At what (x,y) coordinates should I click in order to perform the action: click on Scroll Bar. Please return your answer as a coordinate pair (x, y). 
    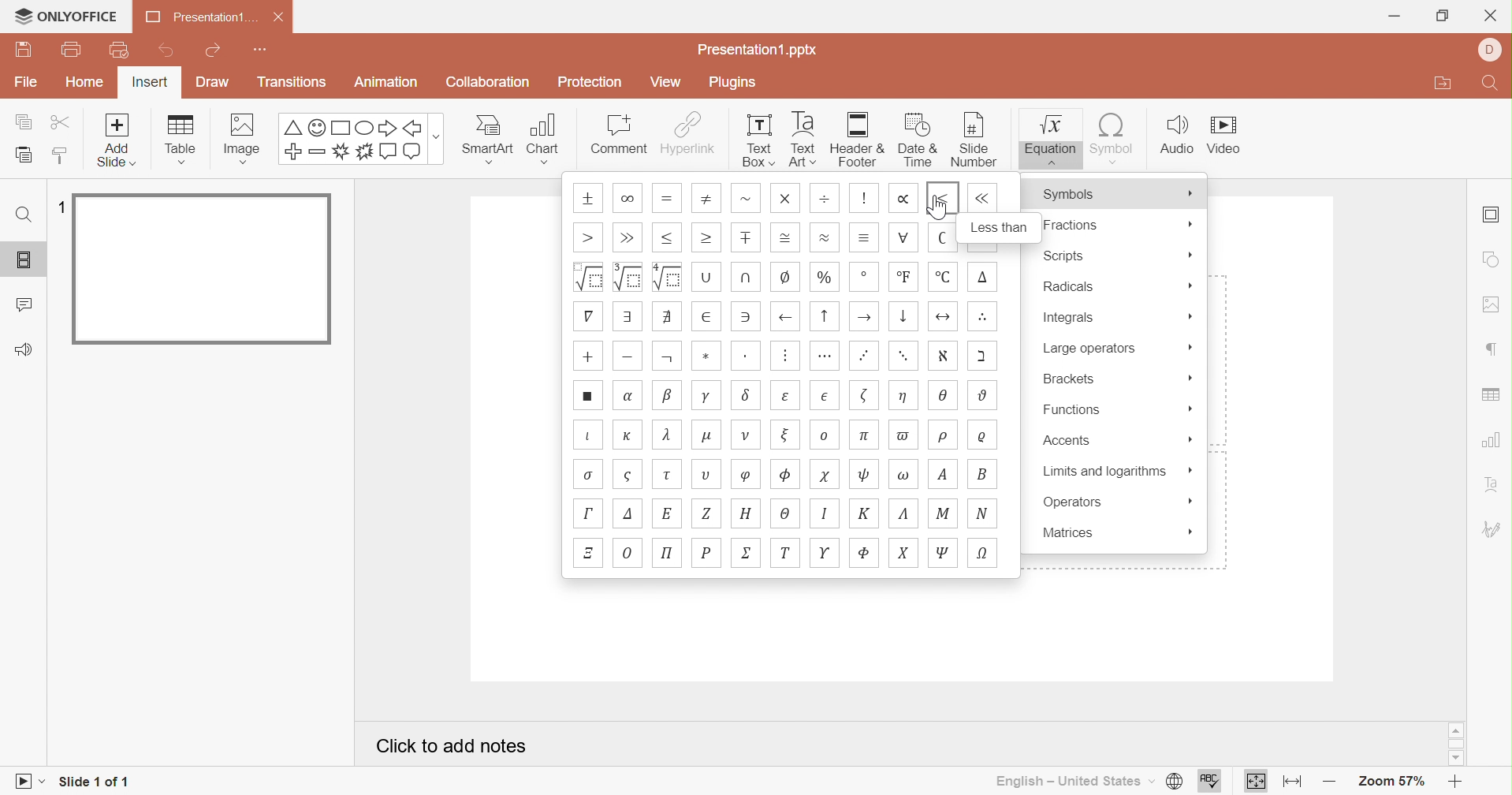
    Looking at the image, I should click on (1456, 746).